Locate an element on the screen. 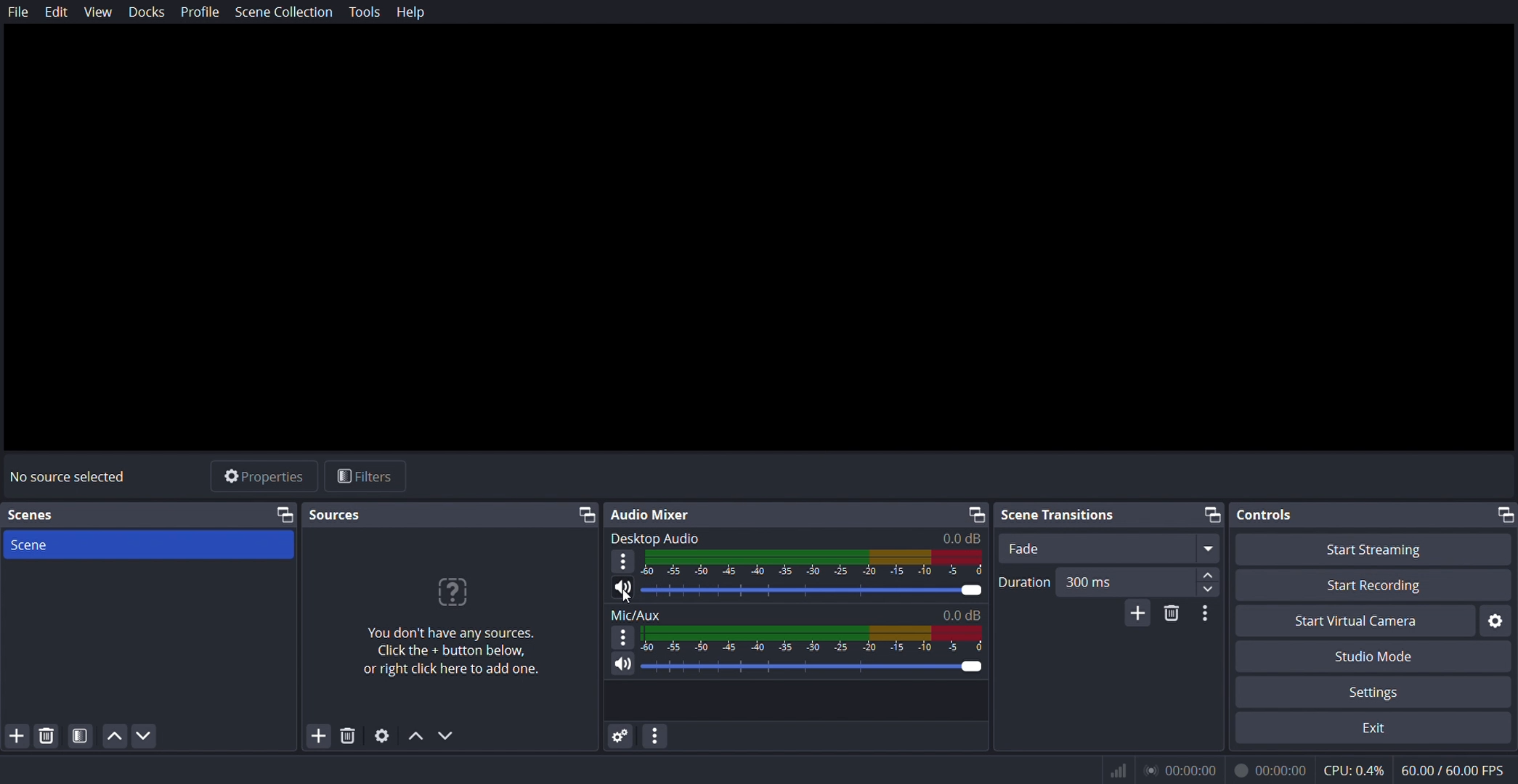  icon is located at coordinates (453, 592).